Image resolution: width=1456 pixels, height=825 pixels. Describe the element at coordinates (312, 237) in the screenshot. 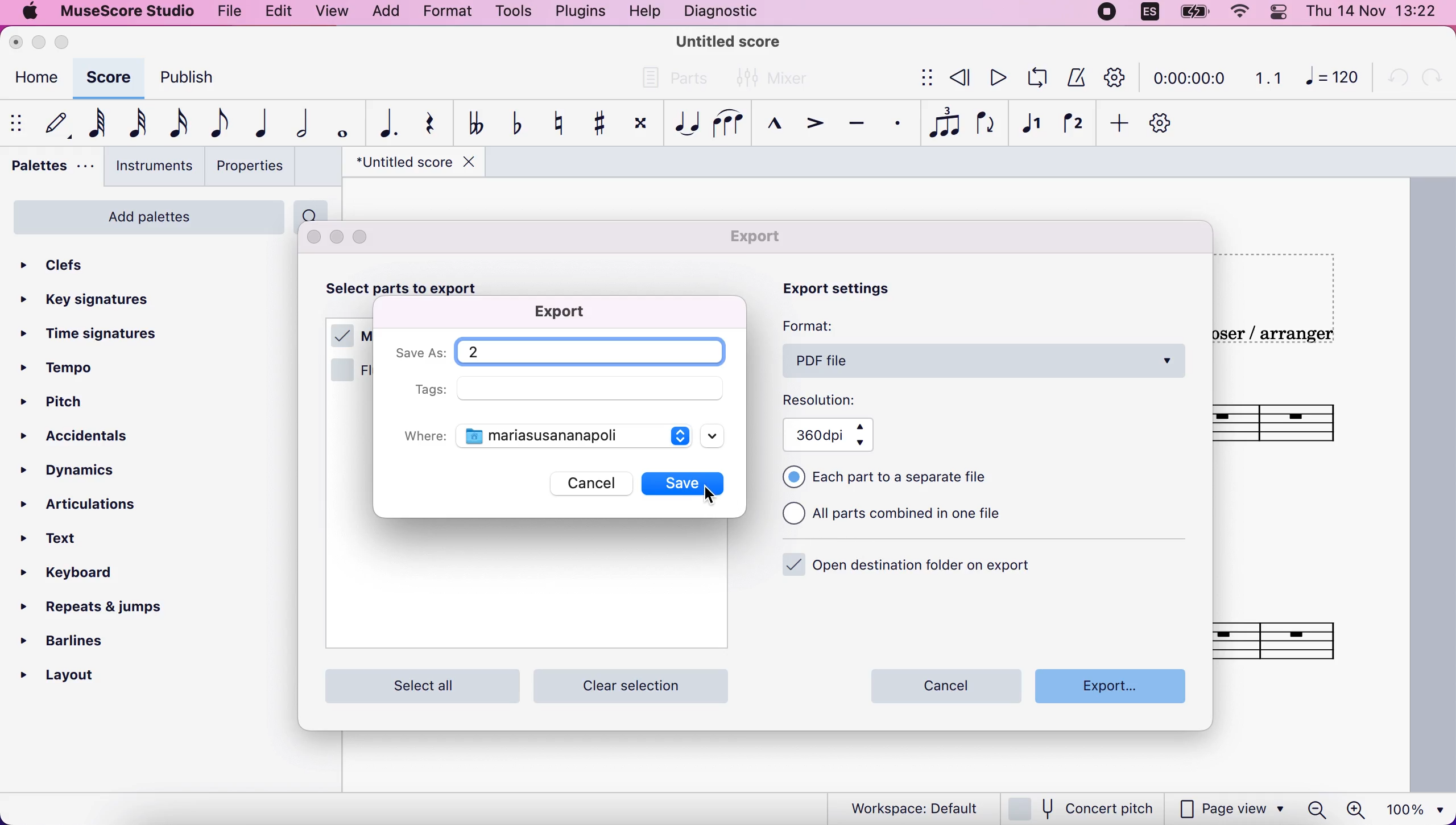

I see `close` at that location.